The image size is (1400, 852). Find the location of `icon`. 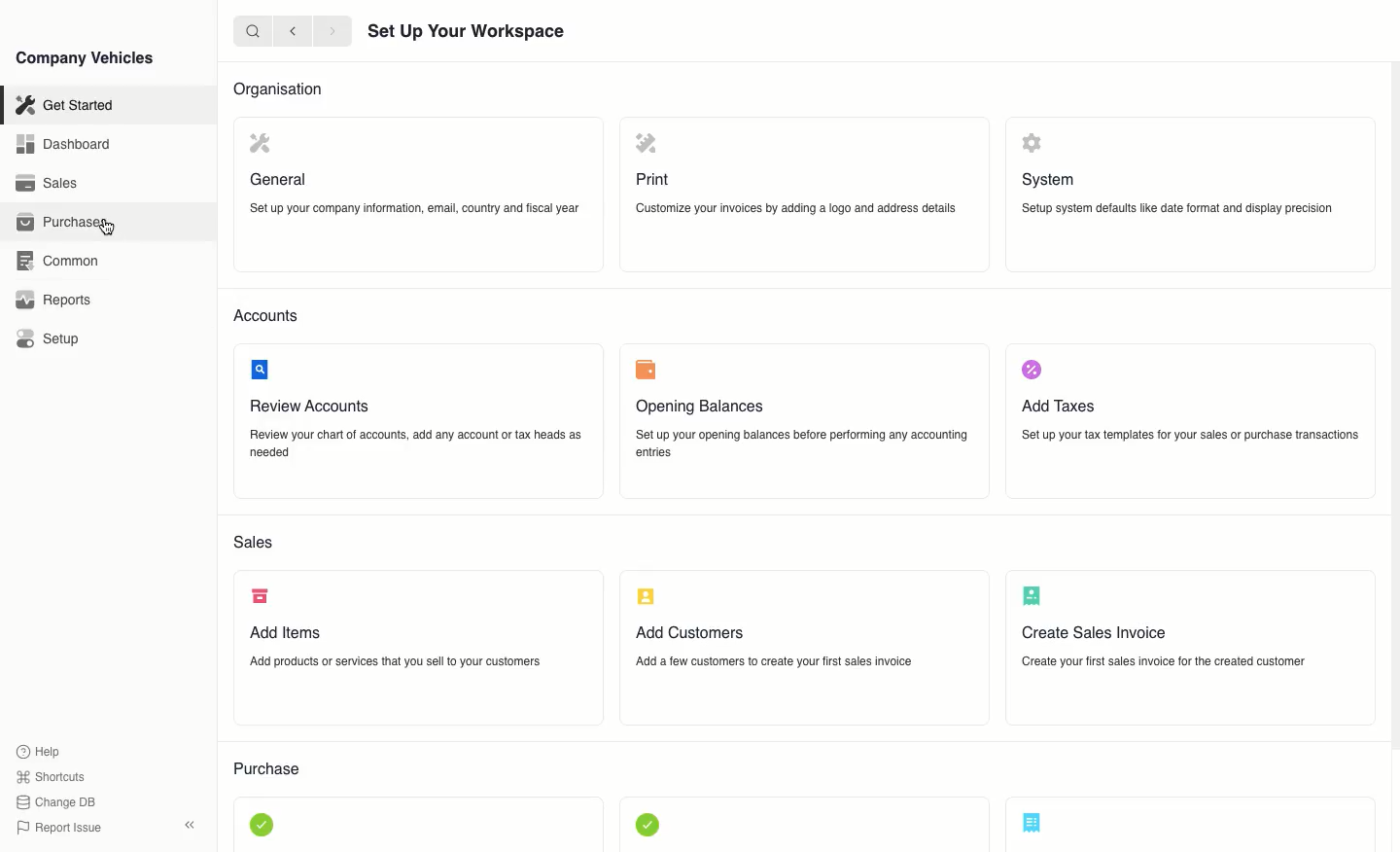

icon is located at coordinates (1032, 822).